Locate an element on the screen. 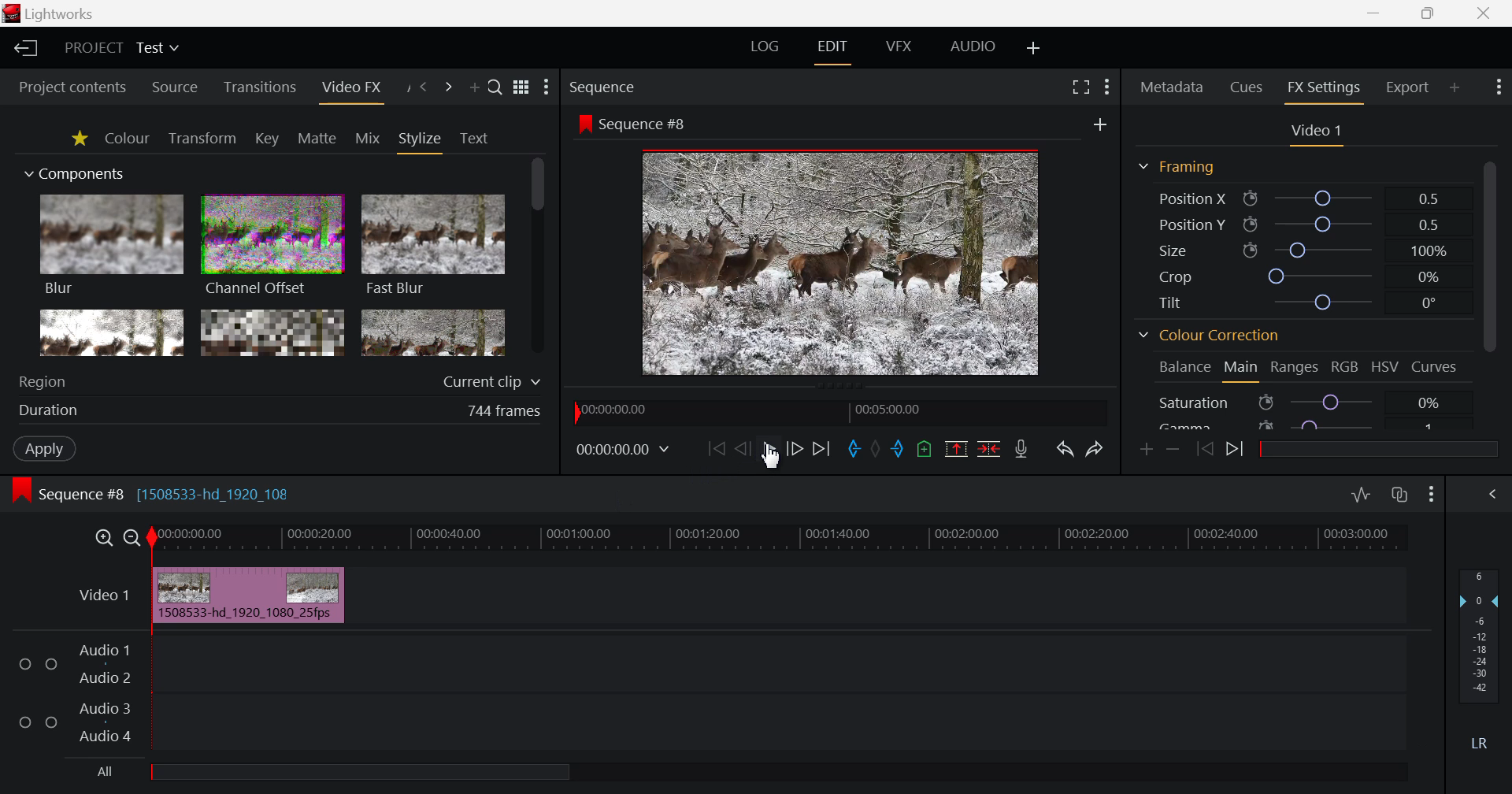 This screenshot has height=794, width=1512. Show Settings is located at coordinates (1432, 496).